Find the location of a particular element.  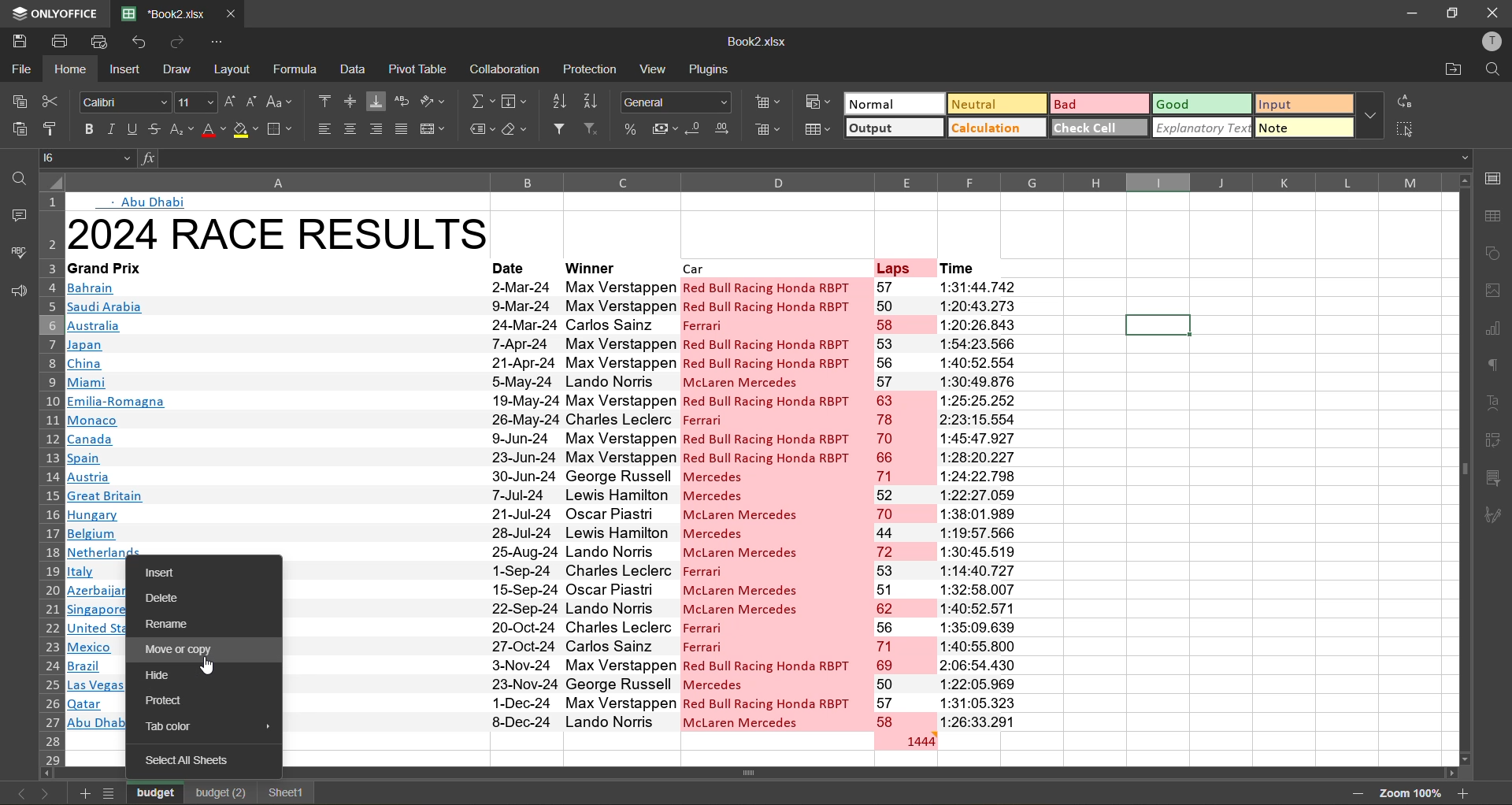

app name is located at coordinates (53, 11).